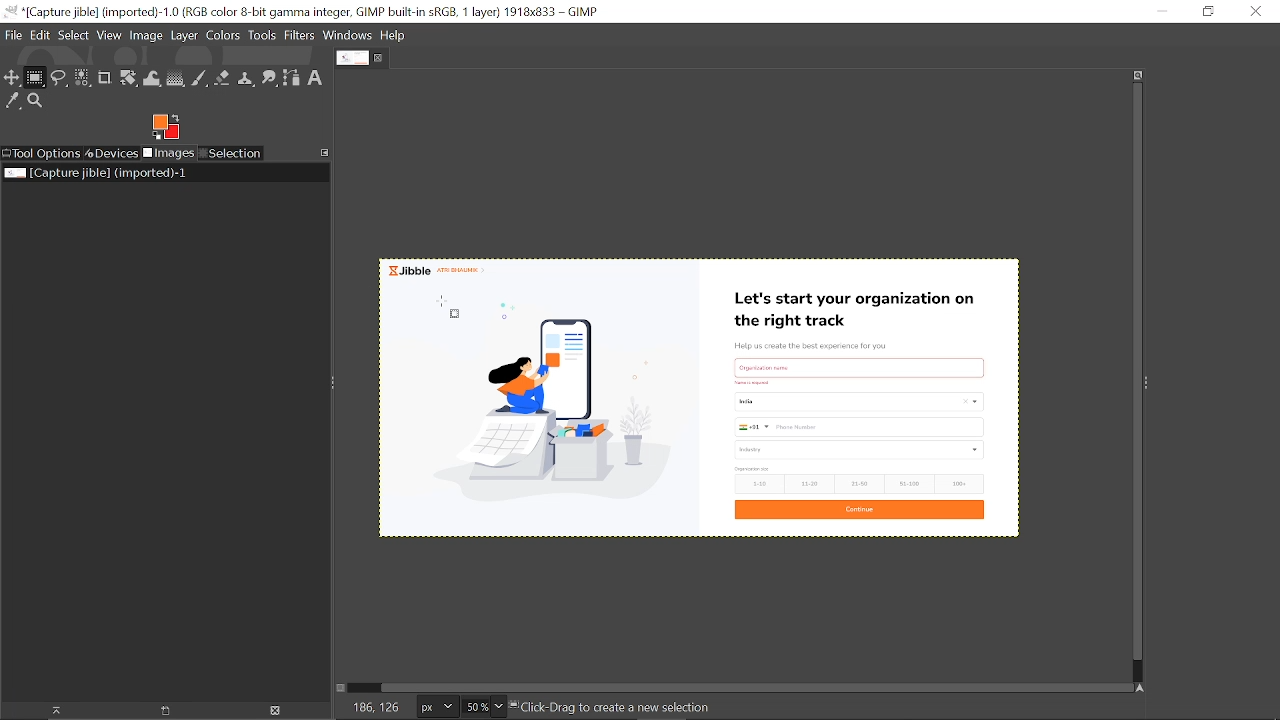 The height and width of the screenshot is (720, 1280). What do you see at coordinates (394, 36) in the screenshot?
I see `Help` at bounding box center [394, 36].